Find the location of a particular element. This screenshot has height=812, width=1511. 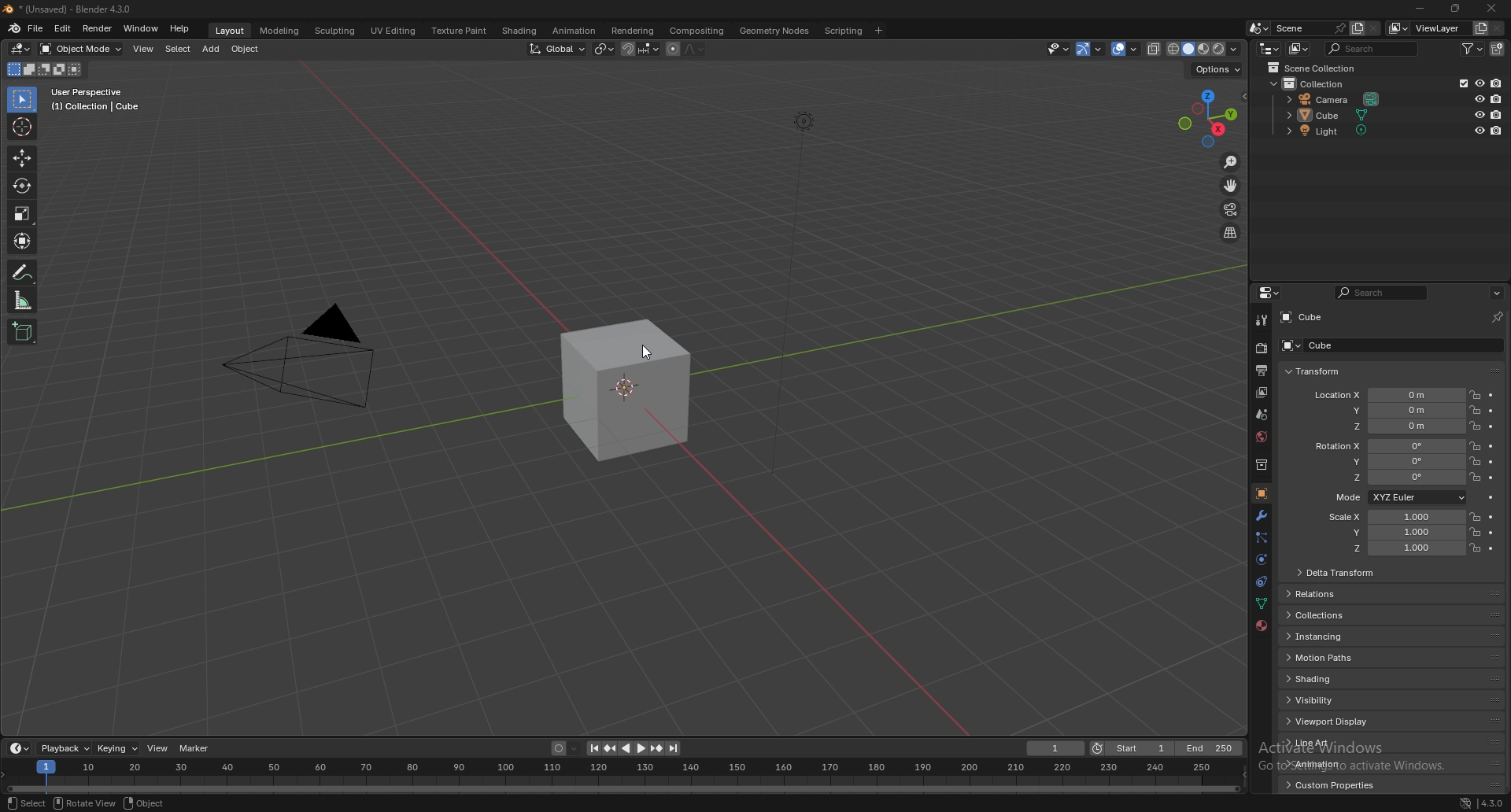

render is located at coordinates (98, 29).